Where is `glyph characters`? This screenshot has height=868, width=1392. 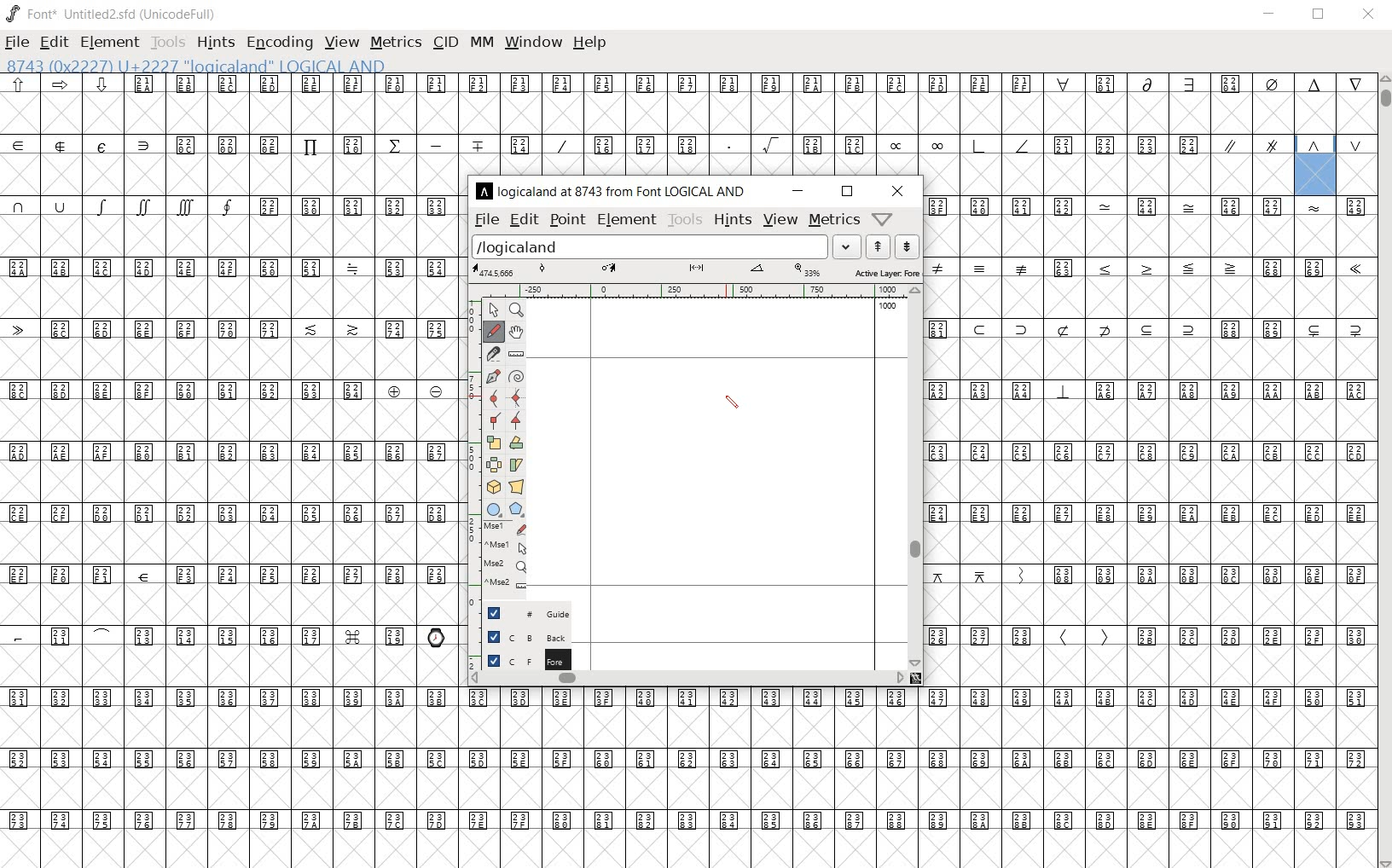
glyph characters is located at coordinates (860, 124).